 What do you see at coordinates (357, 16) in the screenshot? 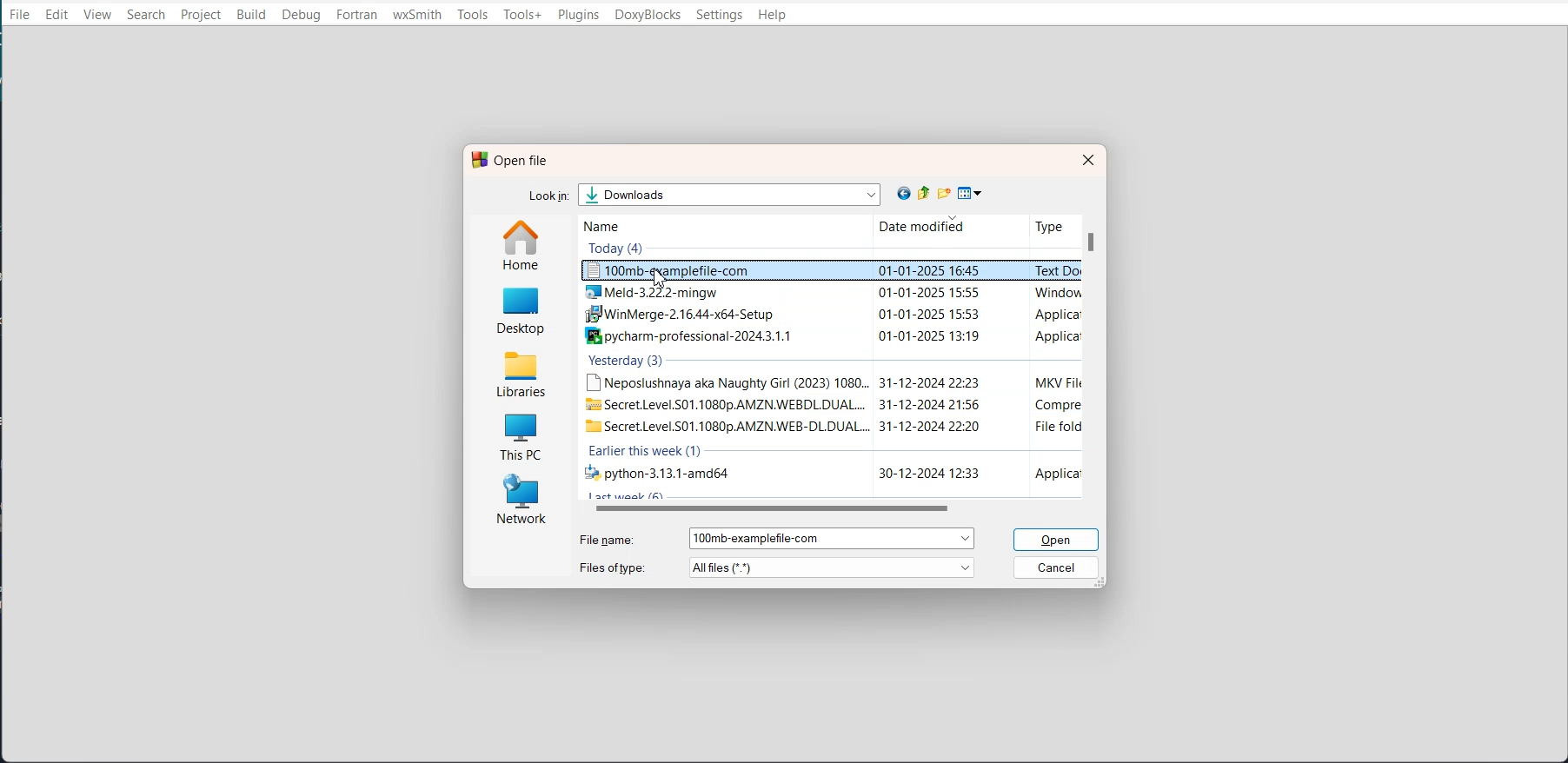
I see `Fortran` at bounding box center [357, 16].